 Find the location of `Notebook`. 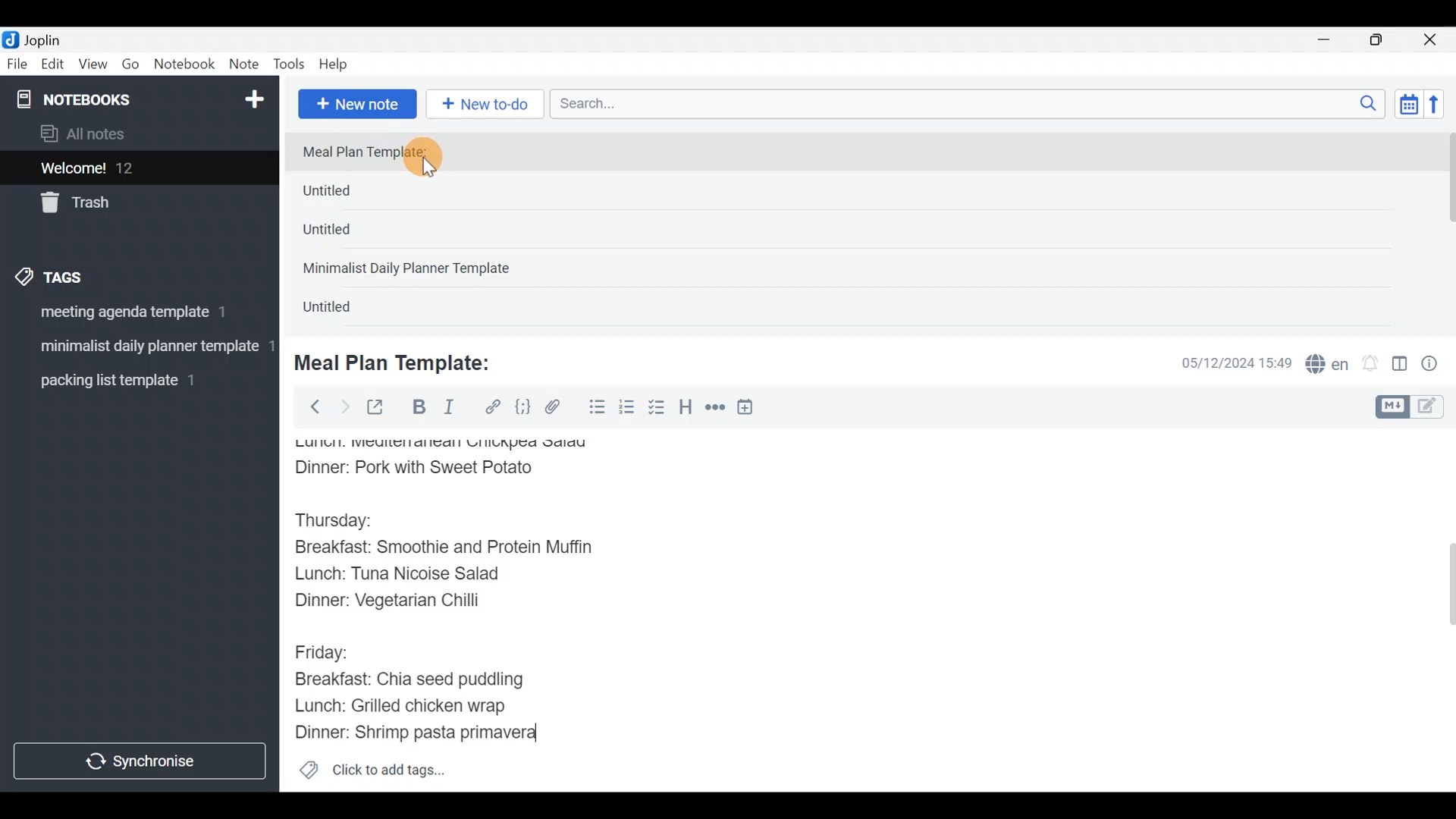

Notebook is located at coordinates (185, 64).